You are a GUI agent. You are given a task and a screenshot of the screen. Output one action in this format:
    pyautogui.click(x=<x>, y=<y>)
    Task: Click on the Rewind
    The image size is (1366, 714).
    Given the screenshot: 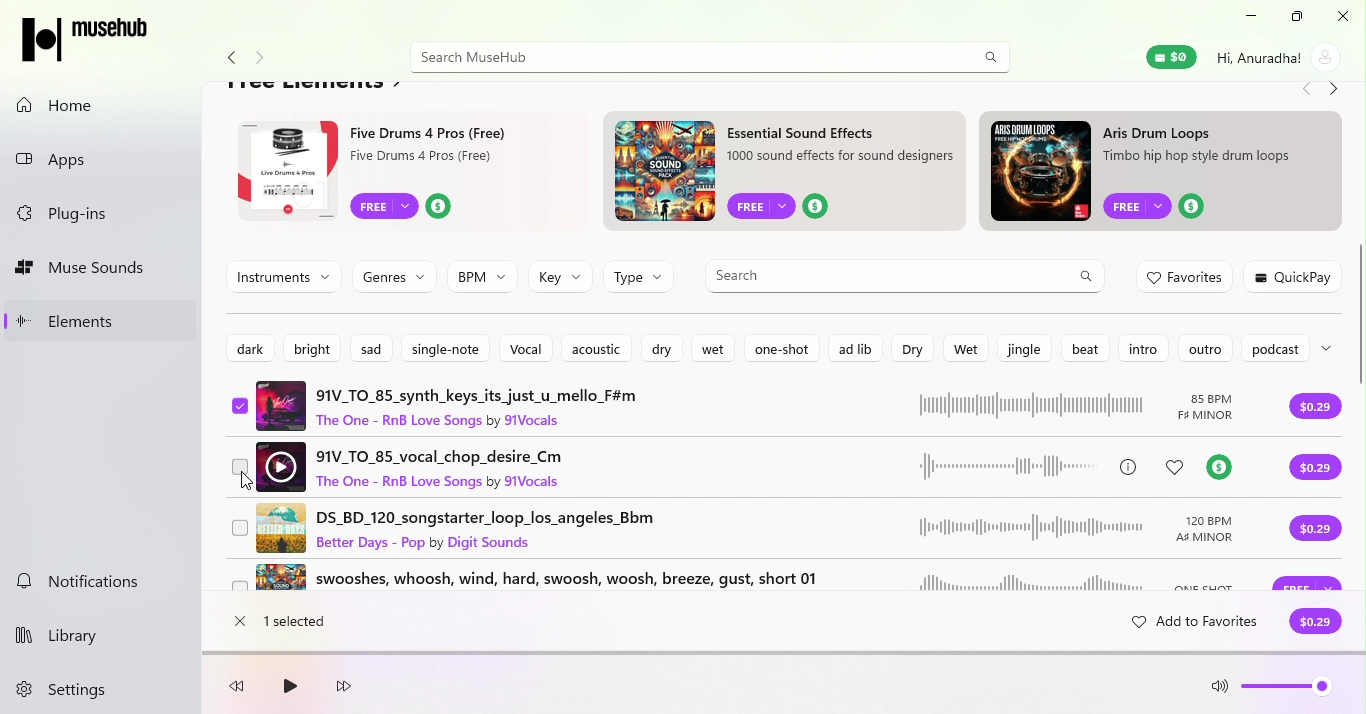 What is the action you would take?
    pyautogui.click(x=242, y=689)
    